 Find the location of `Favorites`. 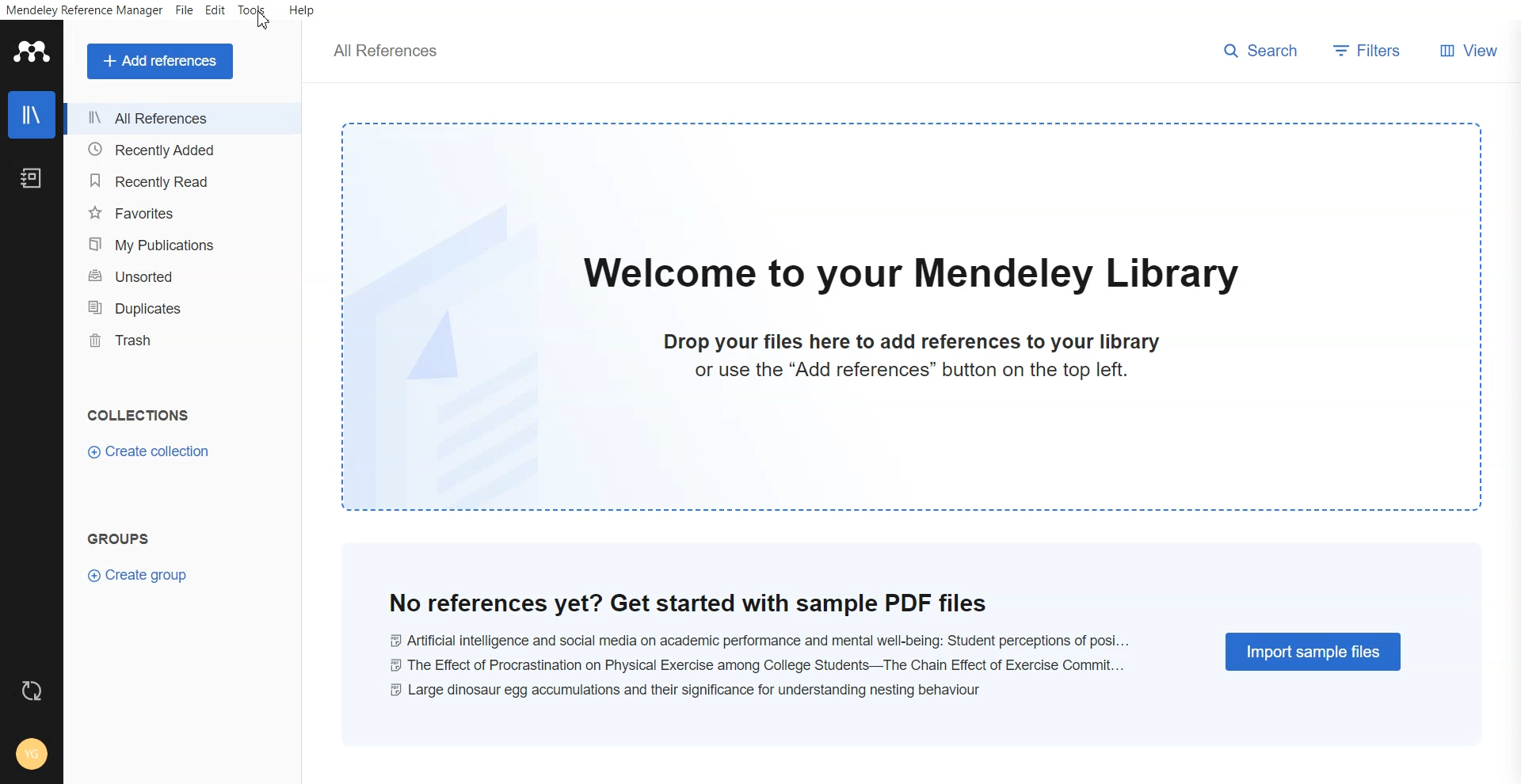

Favorites is located at coordinates (182, 212).